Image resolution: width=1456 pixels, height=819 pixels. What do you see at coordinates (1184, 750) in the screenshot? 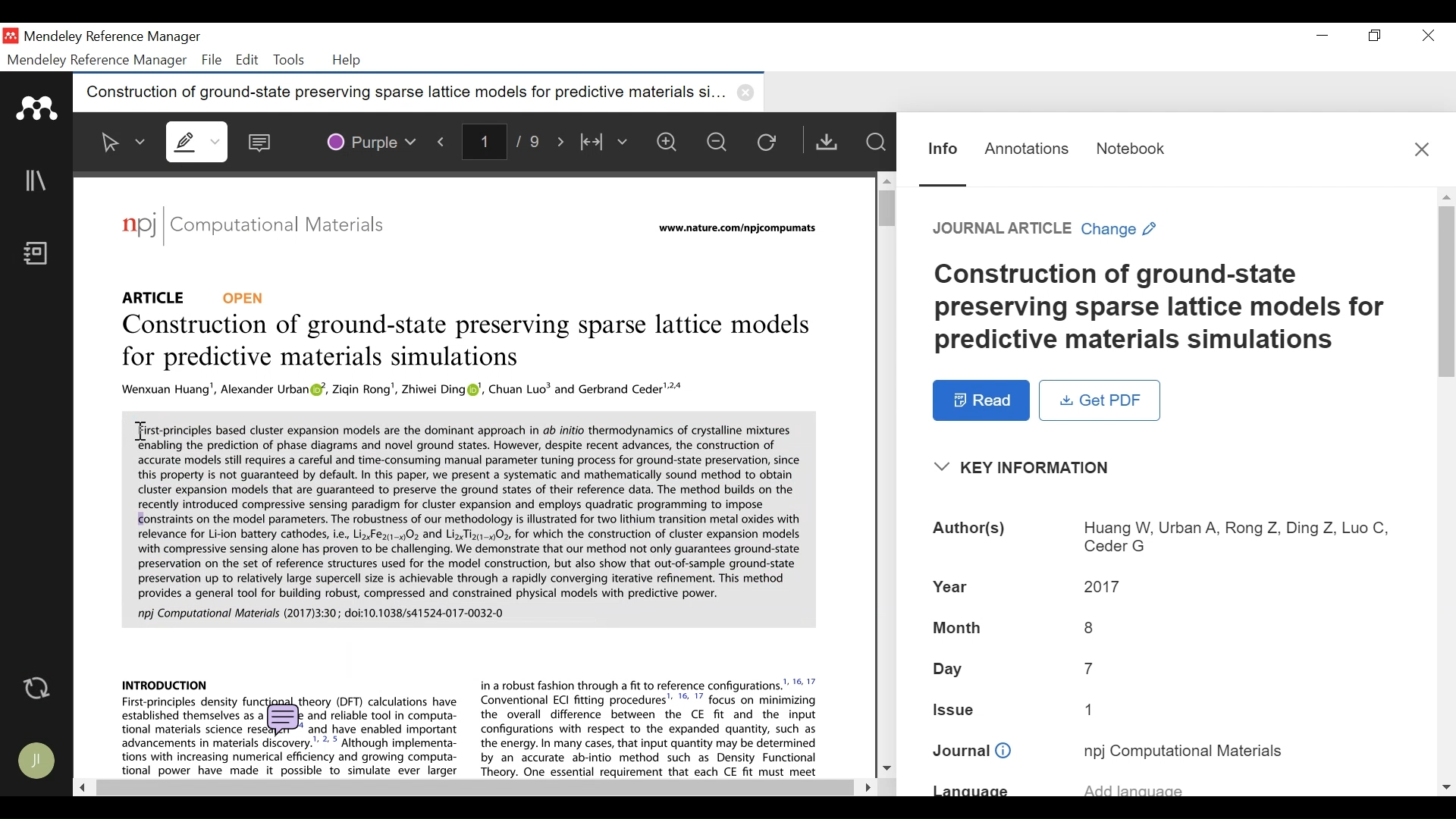
I see `Journal` at bounding box center [1184, 750].